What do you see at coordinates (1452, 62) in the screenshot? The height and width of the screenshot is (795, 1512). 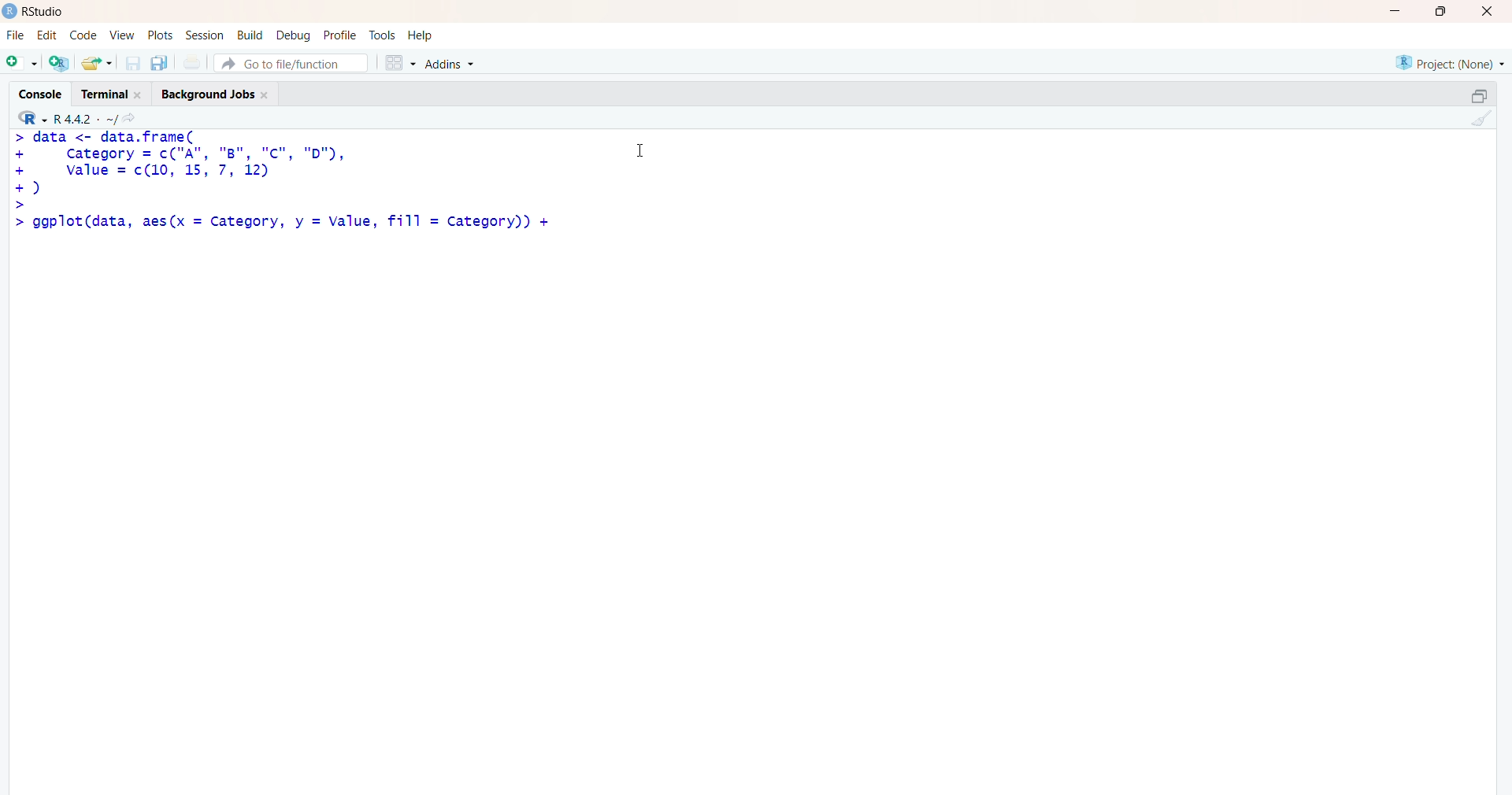 I see `selected project - none` at bounding box center [1452, 62].